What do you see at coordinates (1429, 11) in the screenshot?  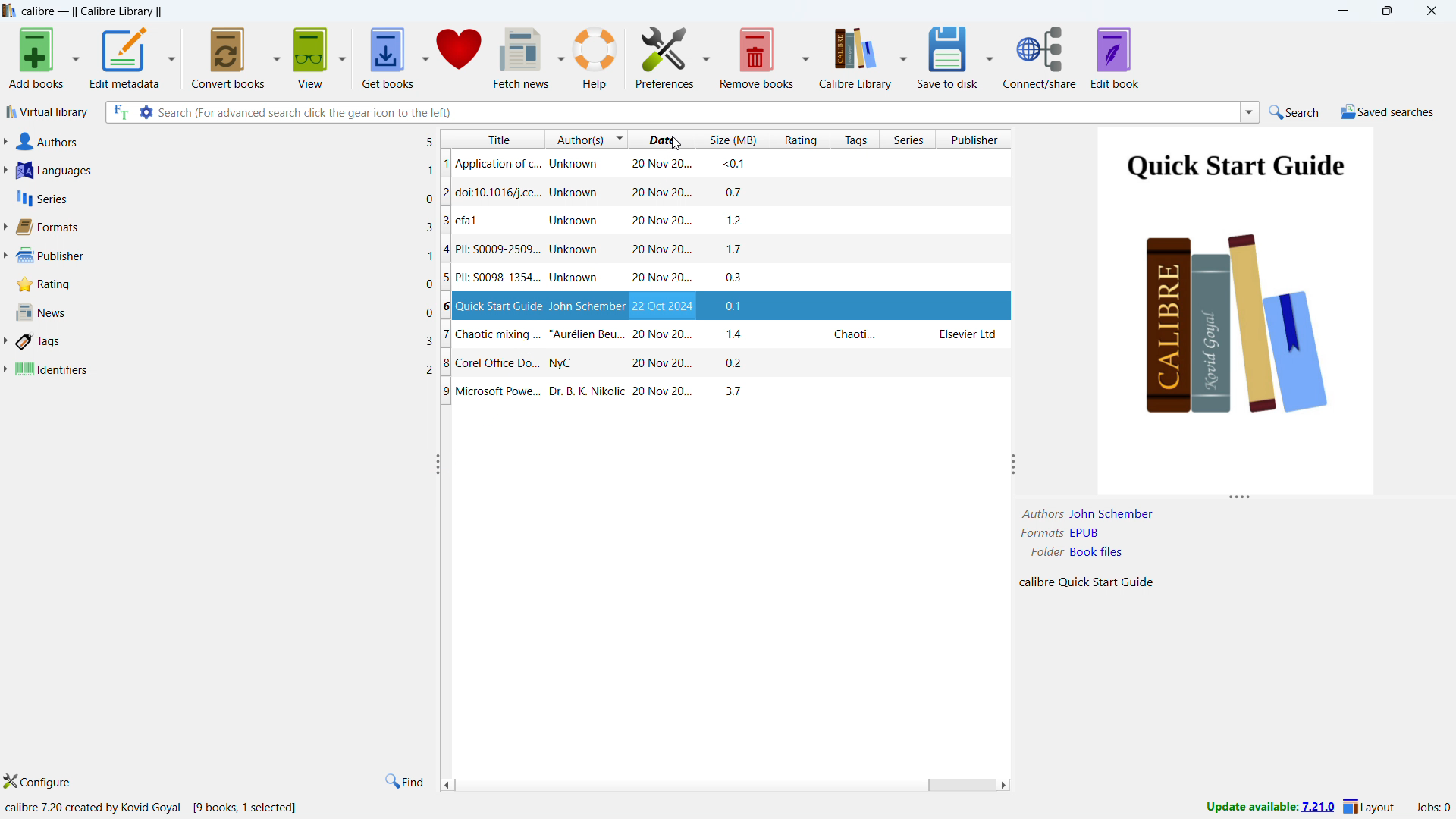 I see `close` at bounding box center [1429, 11].